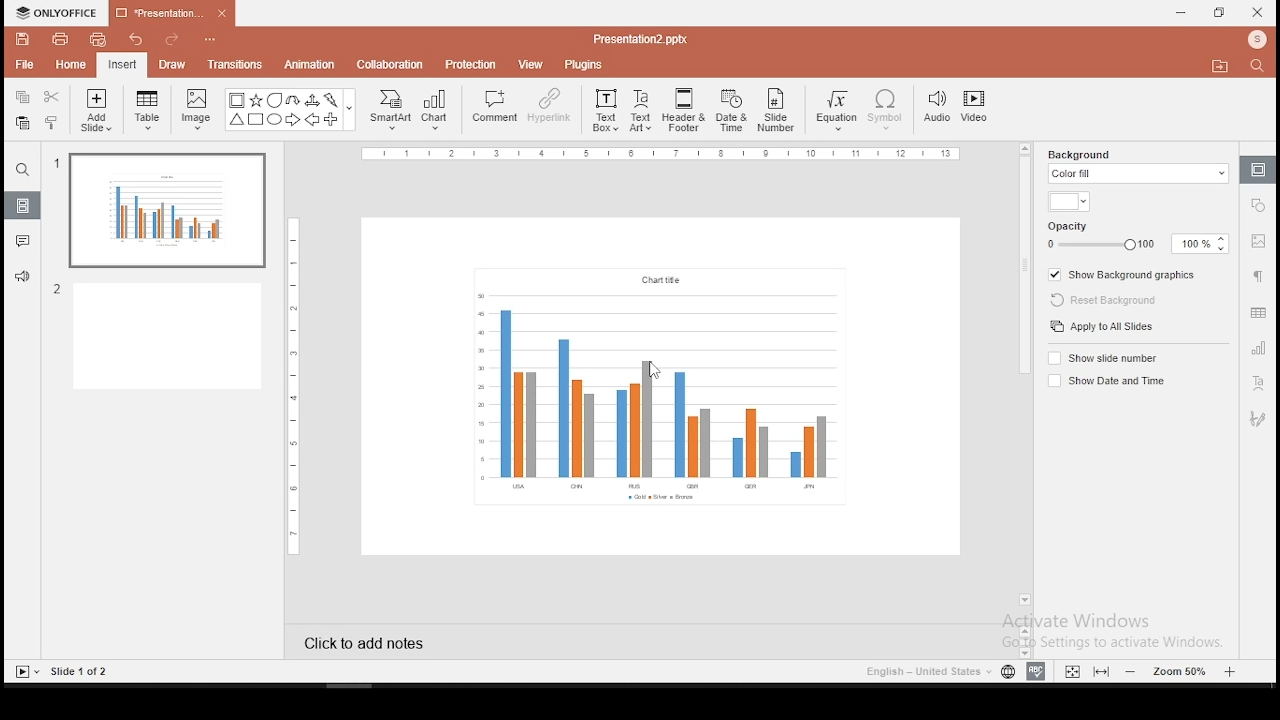  I want to click on scroll bar, so click(1023, 396).